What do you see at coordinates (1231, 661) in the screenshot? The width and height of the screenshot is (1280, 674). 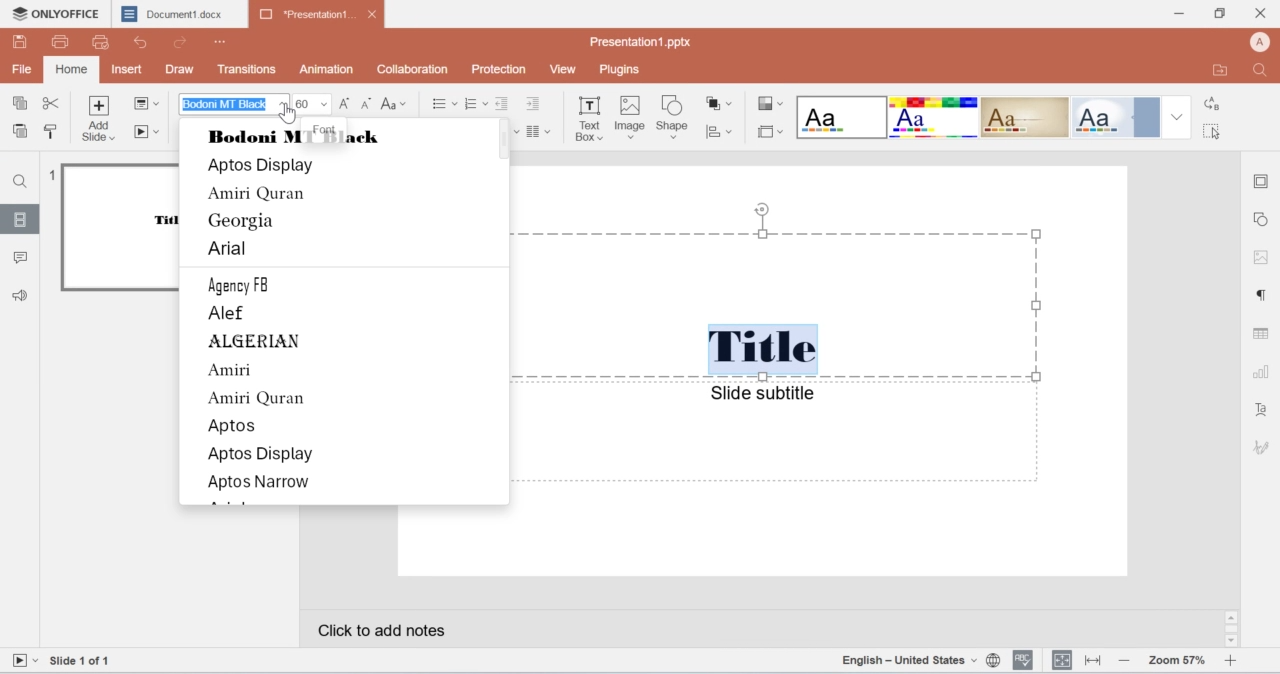 I see `increase` at bounding box center [1231, 661].